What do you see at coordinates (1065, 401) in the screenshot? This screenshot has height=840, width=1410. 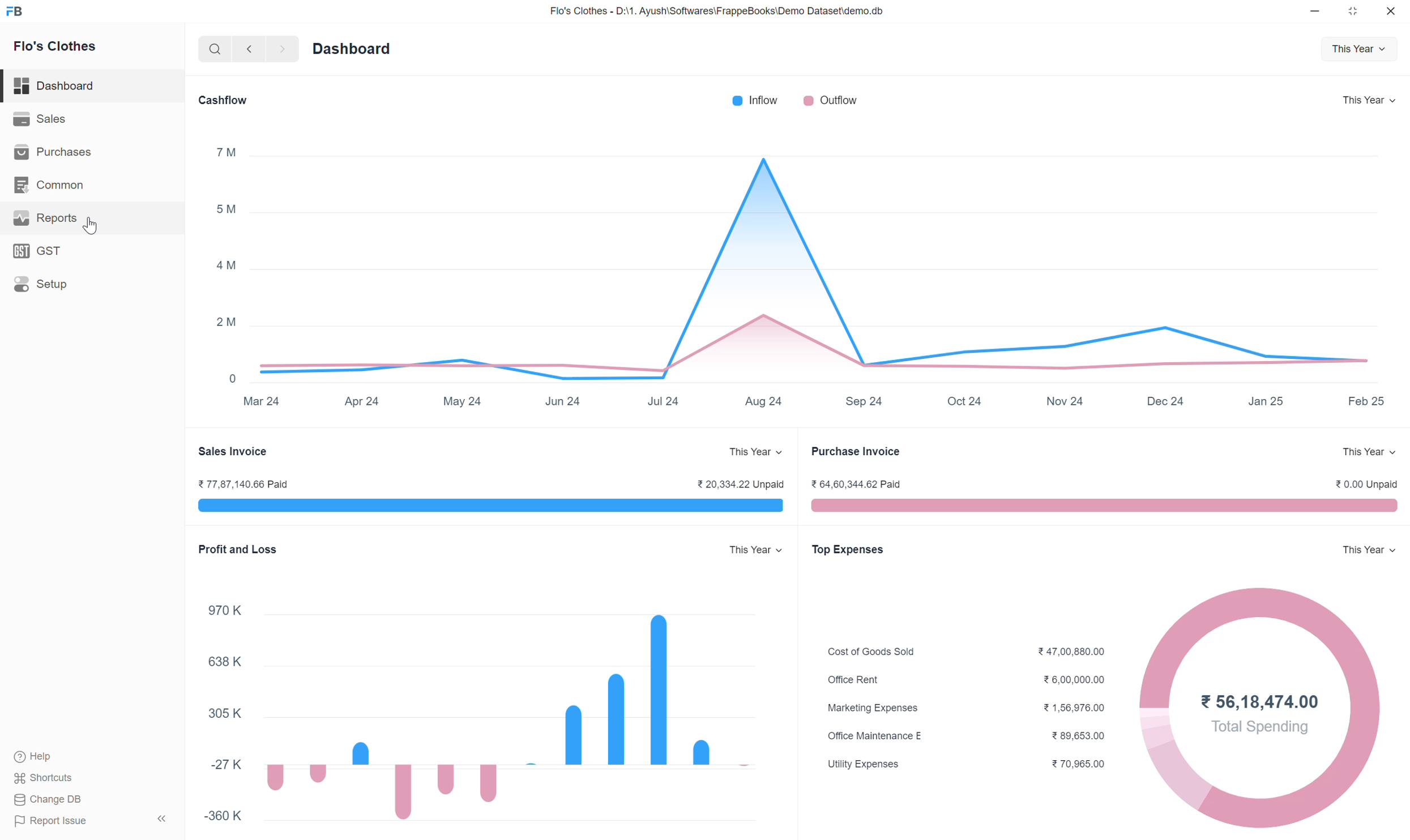 I see `nov 24` at bounding box center [1065, 401].